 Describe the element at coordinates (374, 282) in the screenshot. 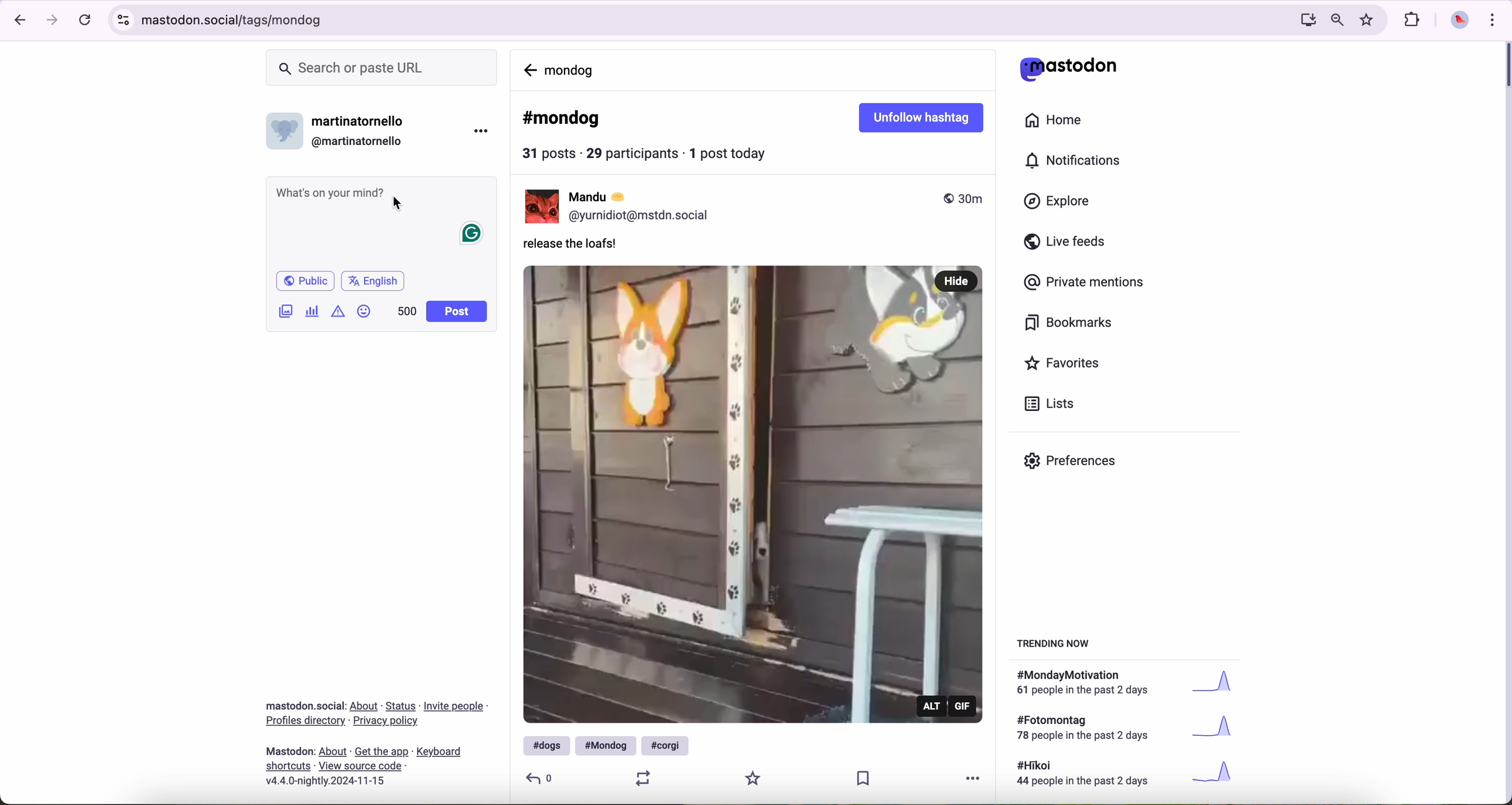

I see `English` at that location.